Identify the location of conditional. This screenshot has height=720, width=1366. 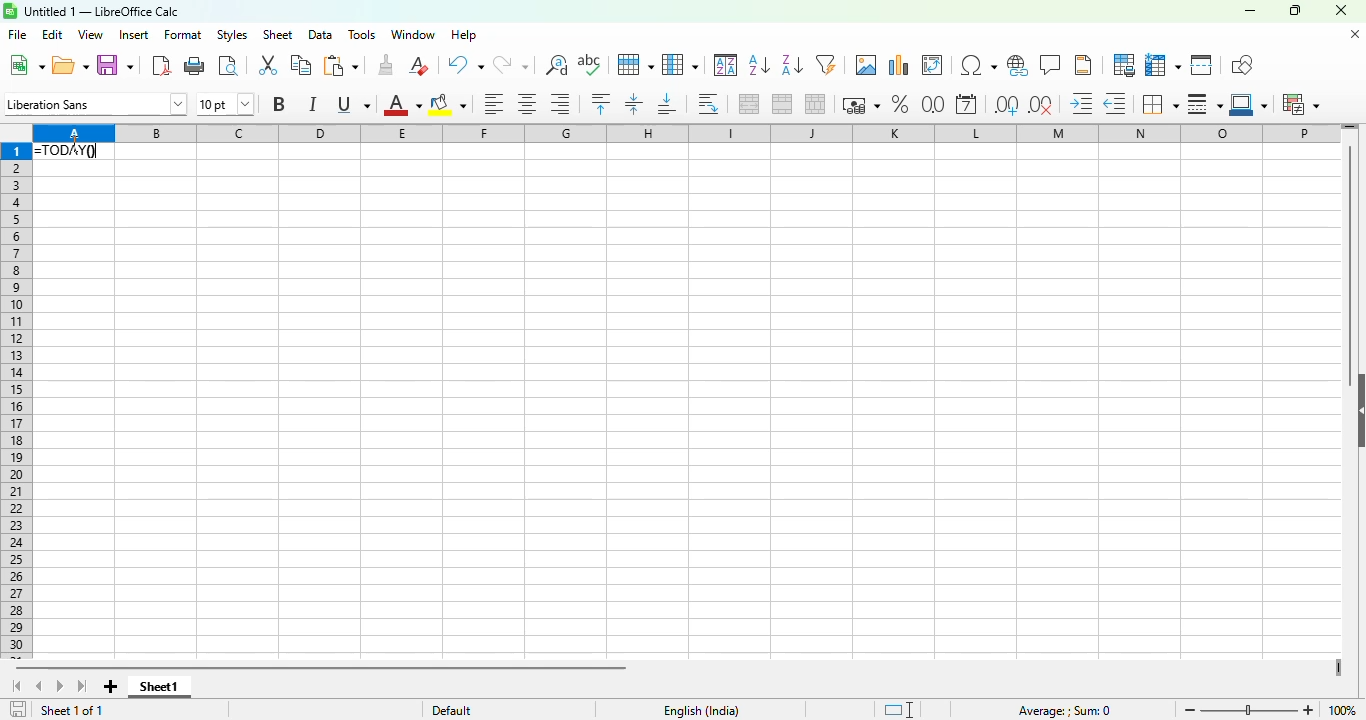
(1301, 104).